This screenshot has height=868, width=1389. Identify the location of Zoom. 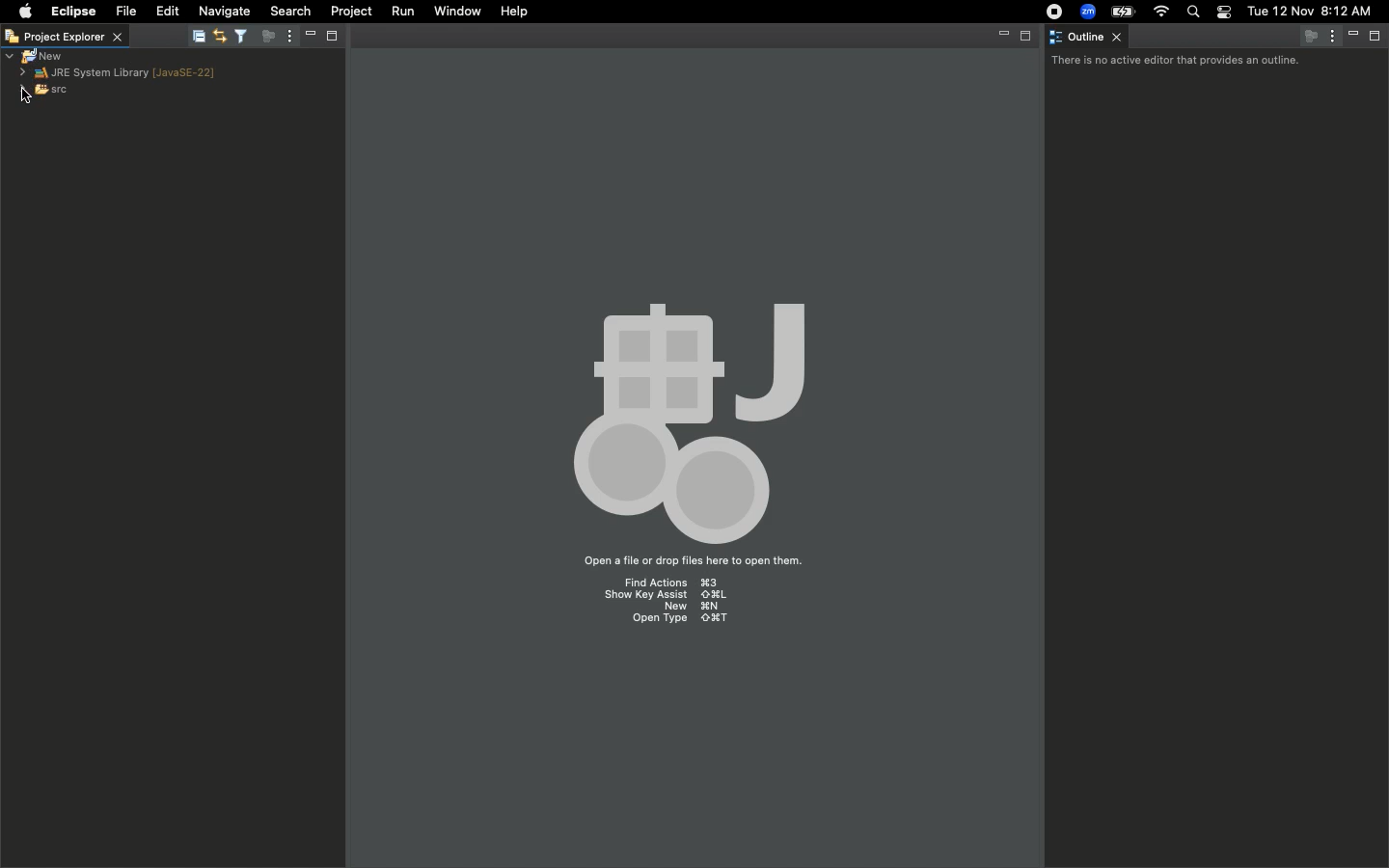
(1085, 12).